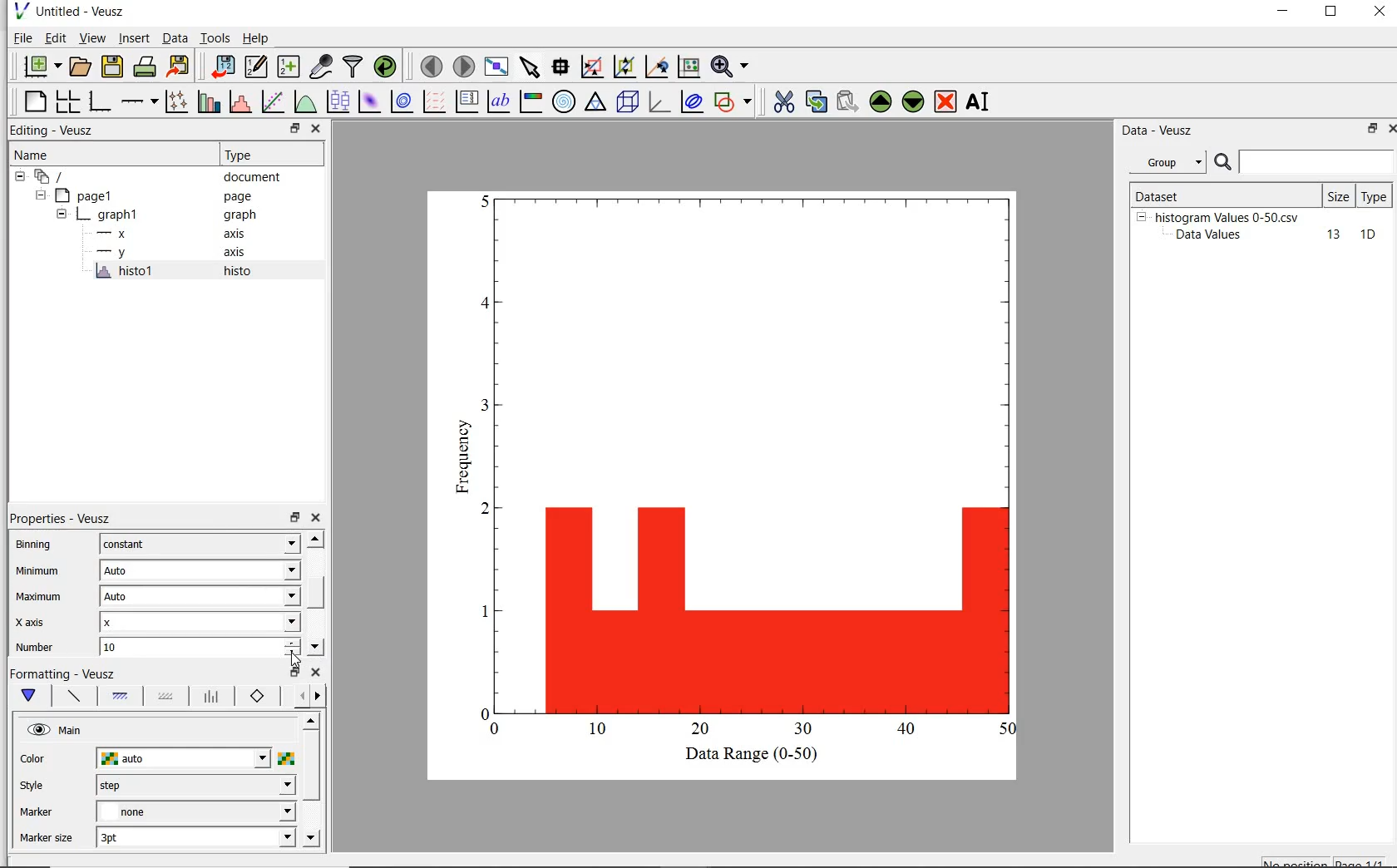 This screenshot has width=1397, height=868. I want to click on histogram of a dataset, so click(239, 102).